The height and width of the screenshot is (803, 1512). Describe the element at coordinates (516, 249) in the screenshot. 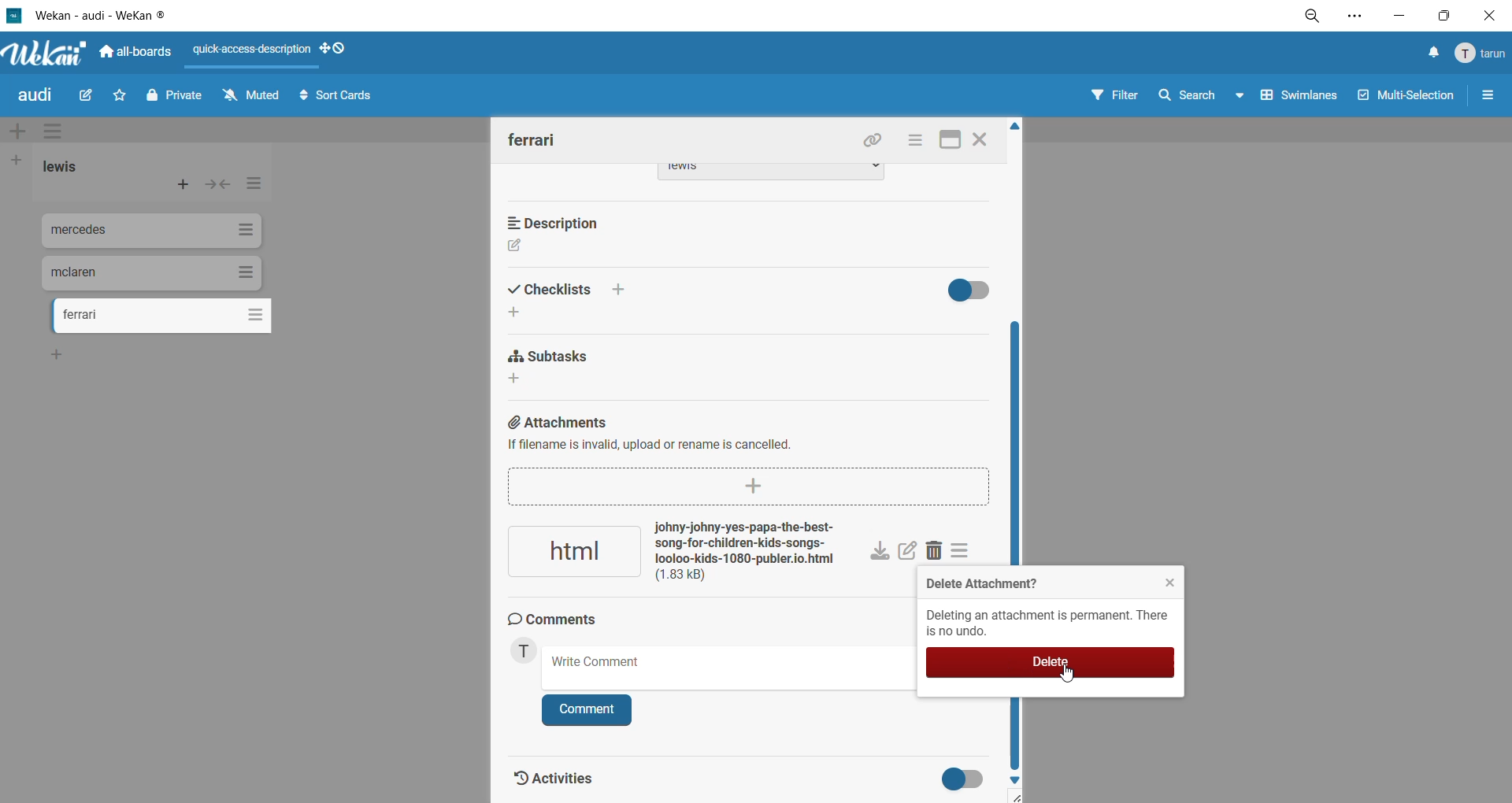

I see `edit` at that location.